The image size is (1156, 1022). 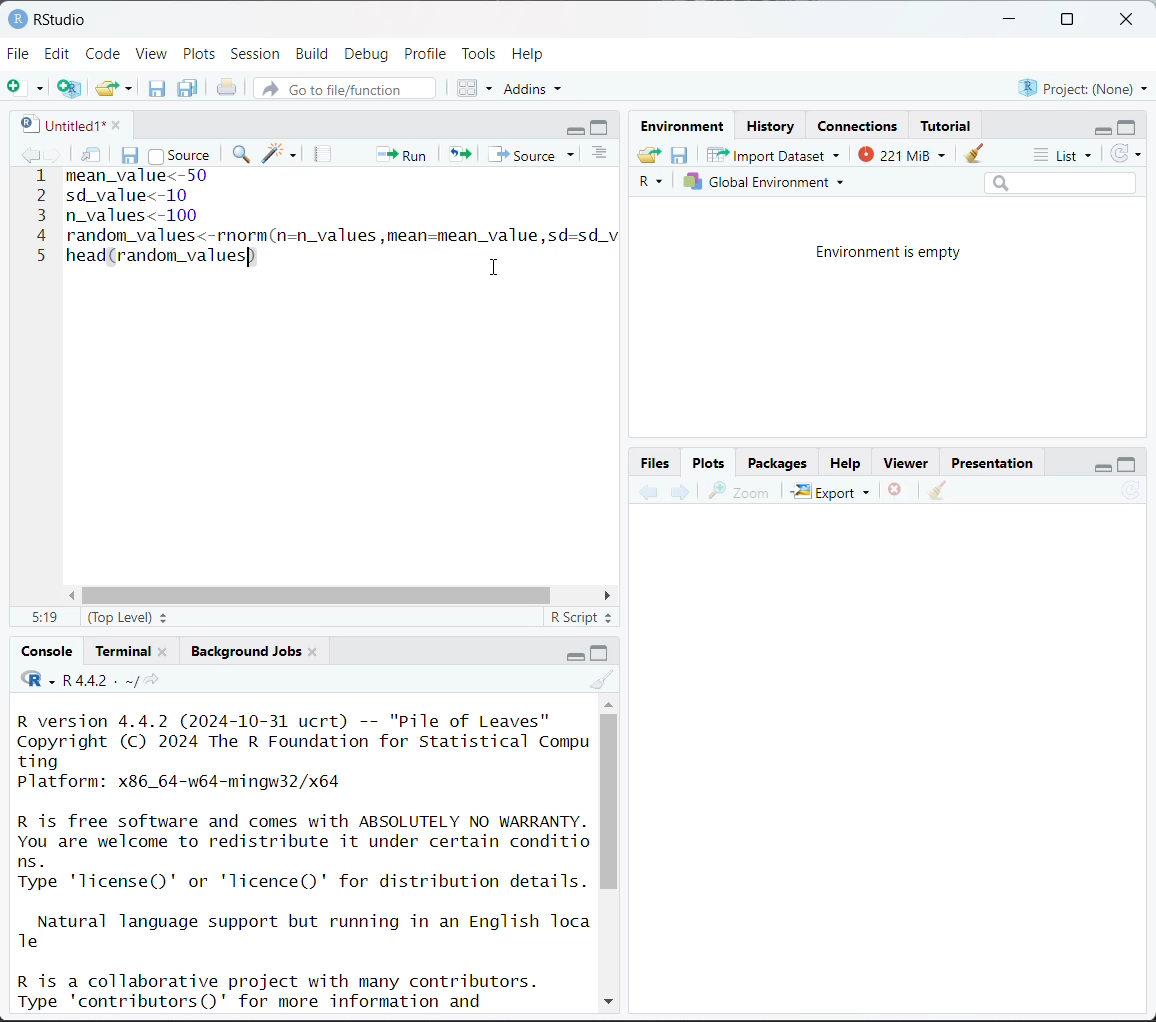 I want to click on Help, so click(x=845, y=465).